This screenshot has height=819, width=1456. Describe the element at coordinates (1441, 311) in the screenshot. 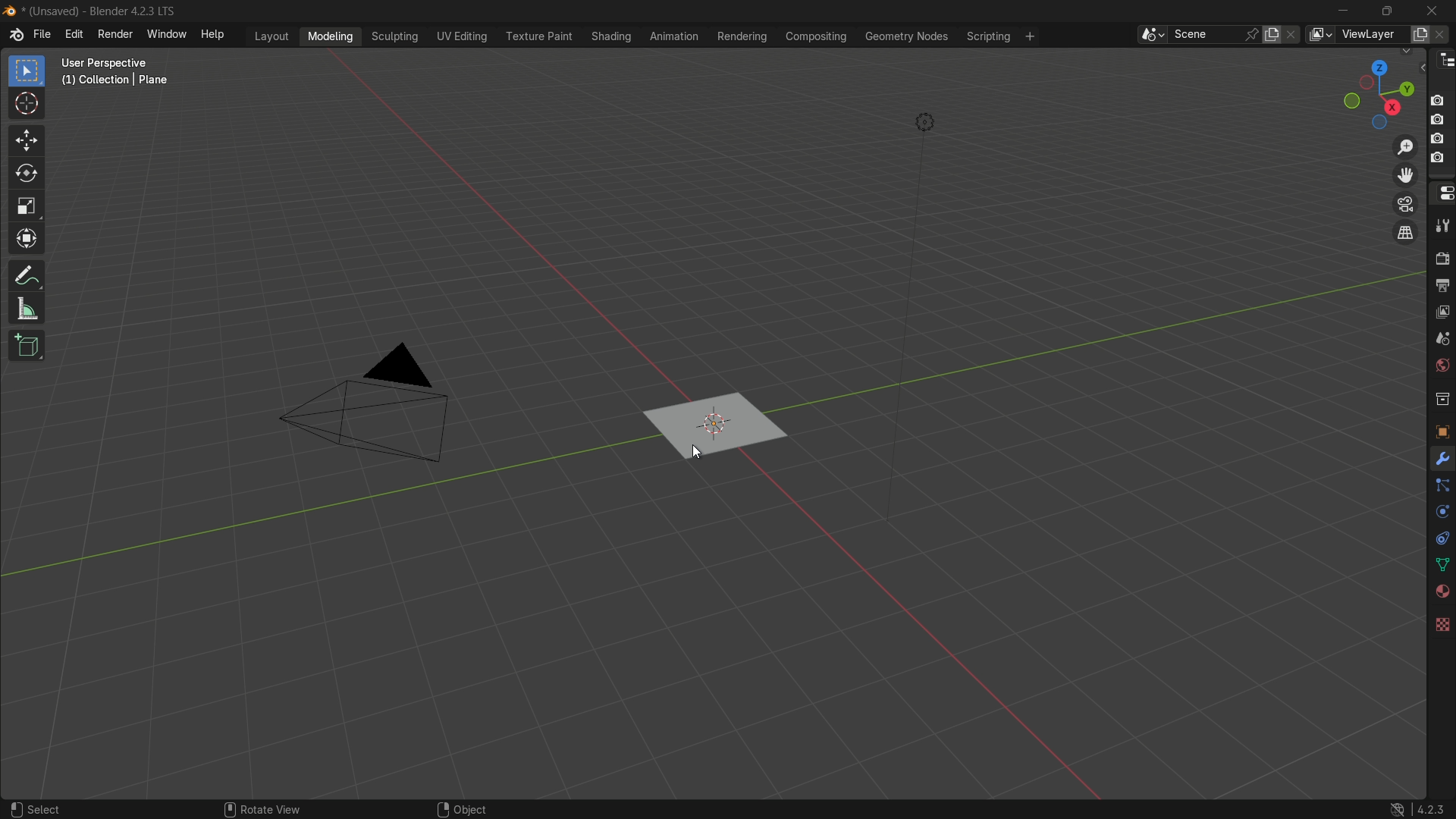

I see `view layer` at that location.